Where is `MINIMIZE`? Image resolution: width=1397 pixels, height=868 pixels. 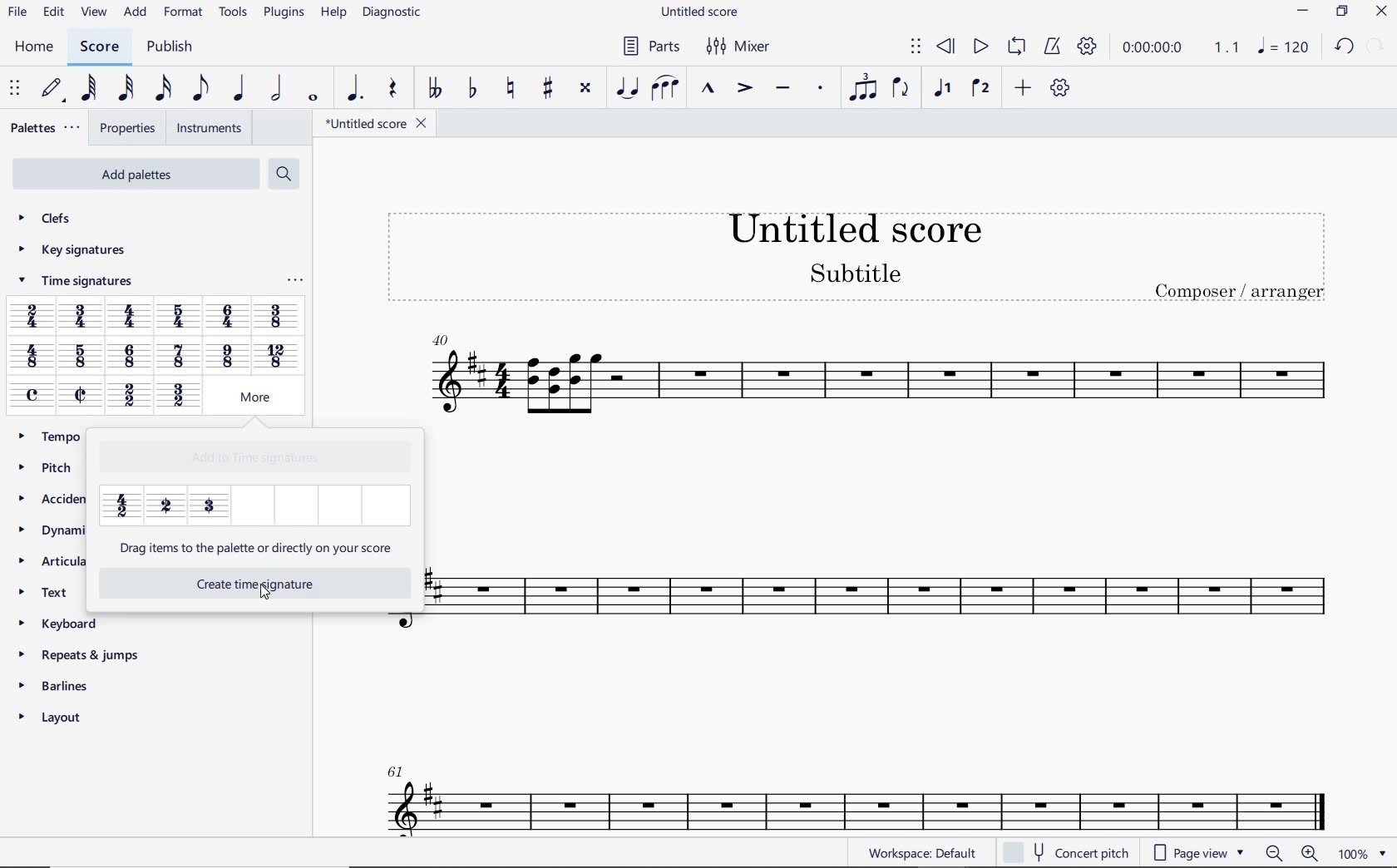
MINIMIZE is located at coordinates (1303, 11).